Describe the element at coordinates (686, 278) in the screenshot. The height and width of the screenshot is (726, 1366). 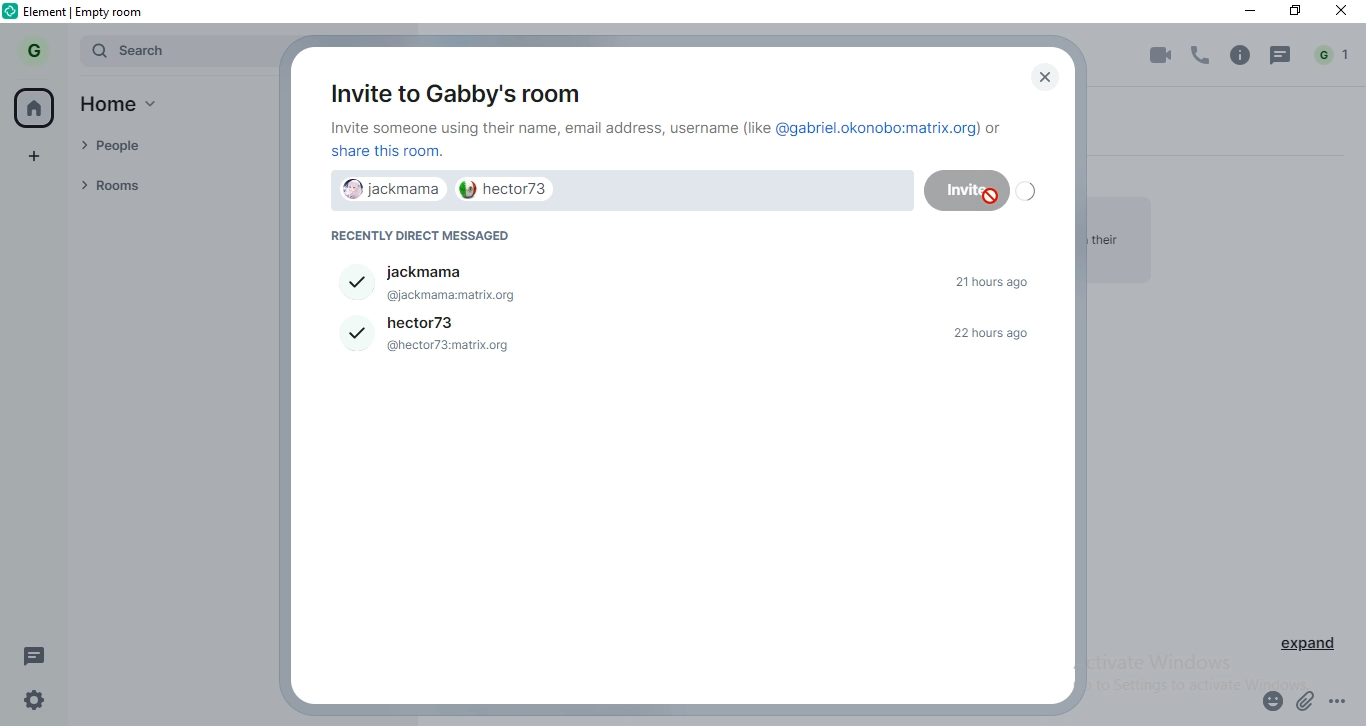
I see `jackmama` at that location.